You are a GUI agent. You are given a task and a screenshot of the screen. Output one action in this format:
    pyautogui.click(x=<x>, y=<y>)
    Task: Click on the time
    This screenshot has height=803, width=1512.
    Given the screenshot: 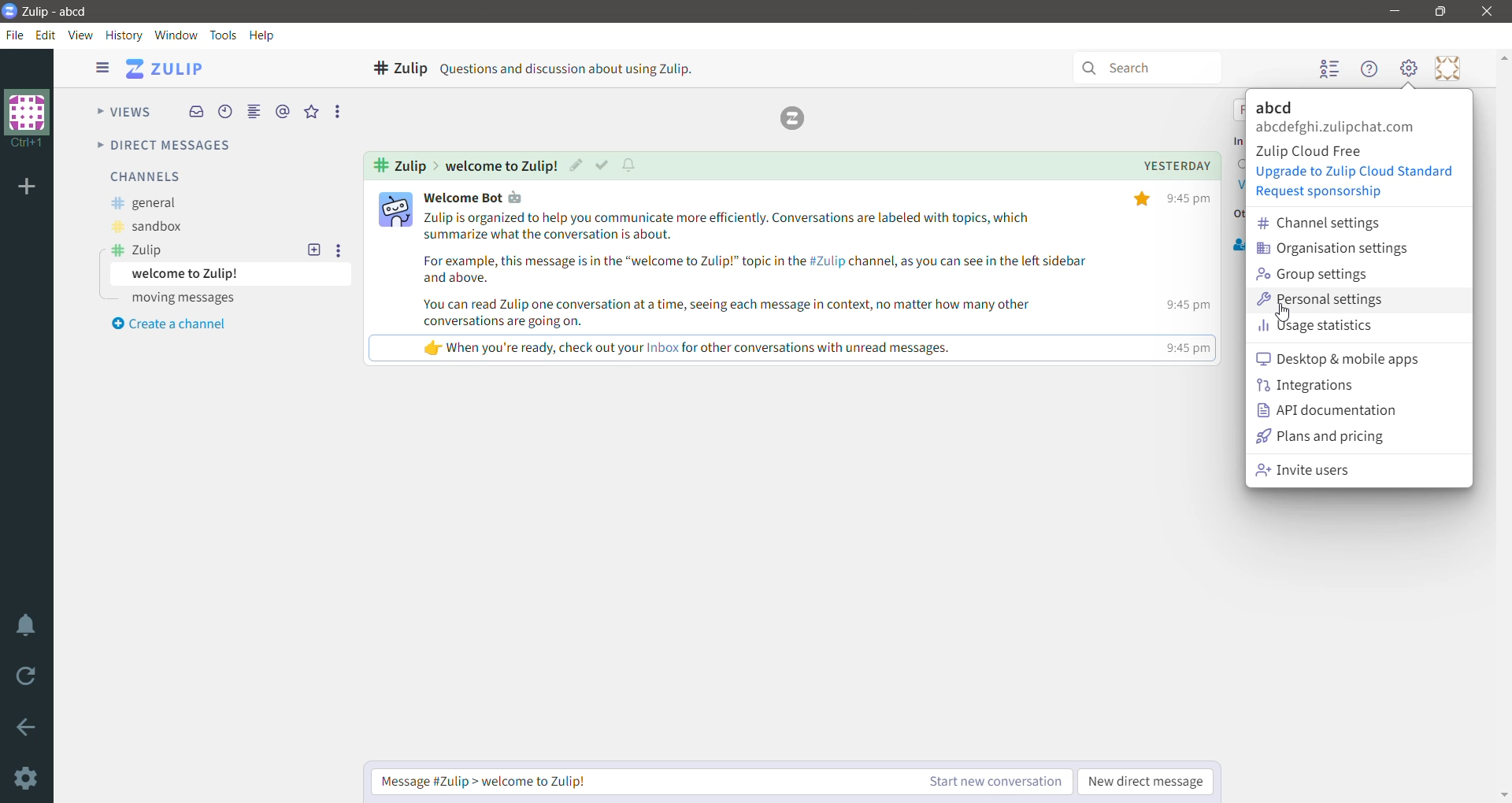 What is the action you would take?
    pyautogui.click(x=1189, y=272)
    